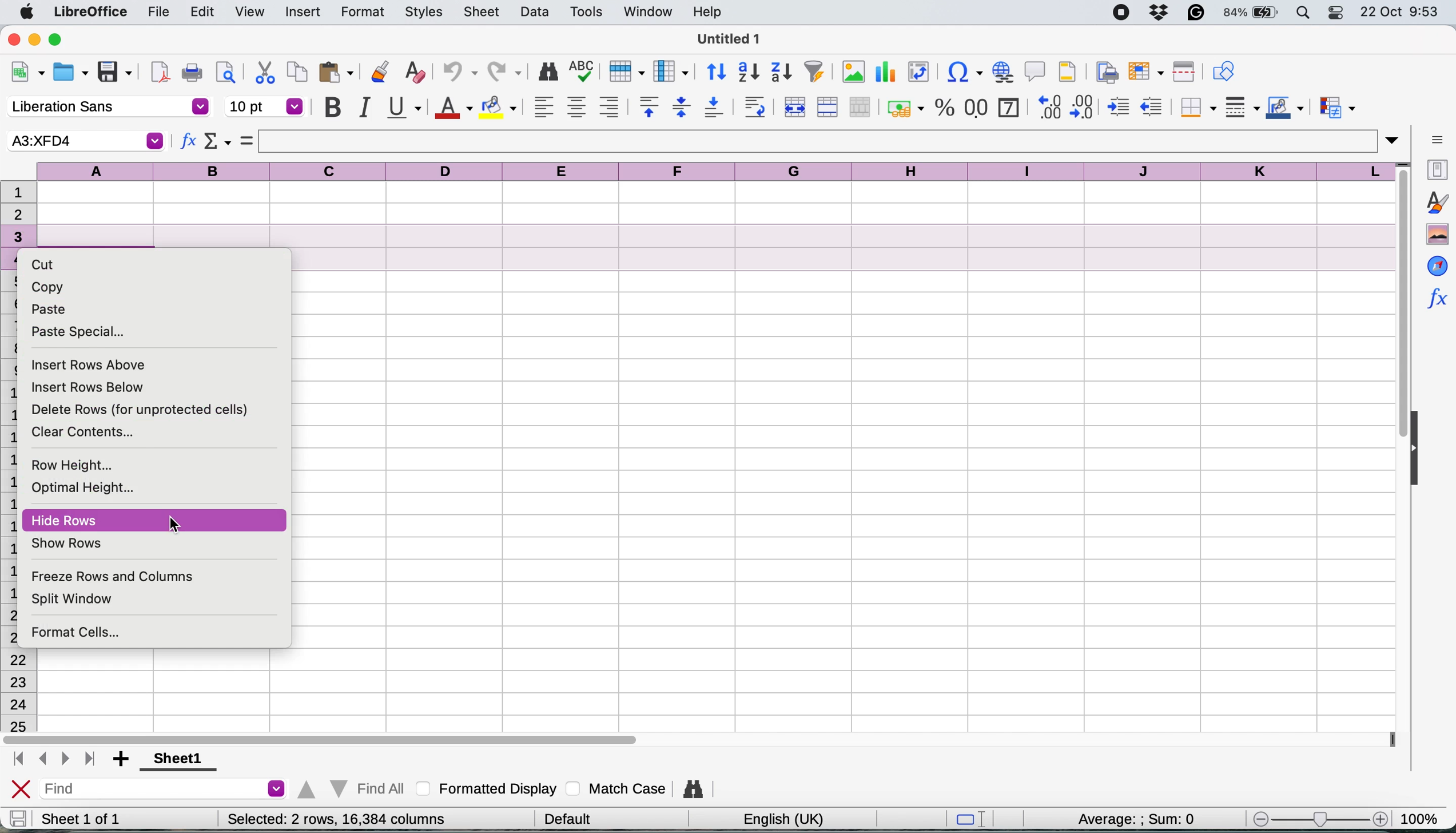 This screenshot has height=833, width=1456. What do you see at coordinates (223, 72) in the screenshot?
I see `print preview` at bounding box center [223, 72].